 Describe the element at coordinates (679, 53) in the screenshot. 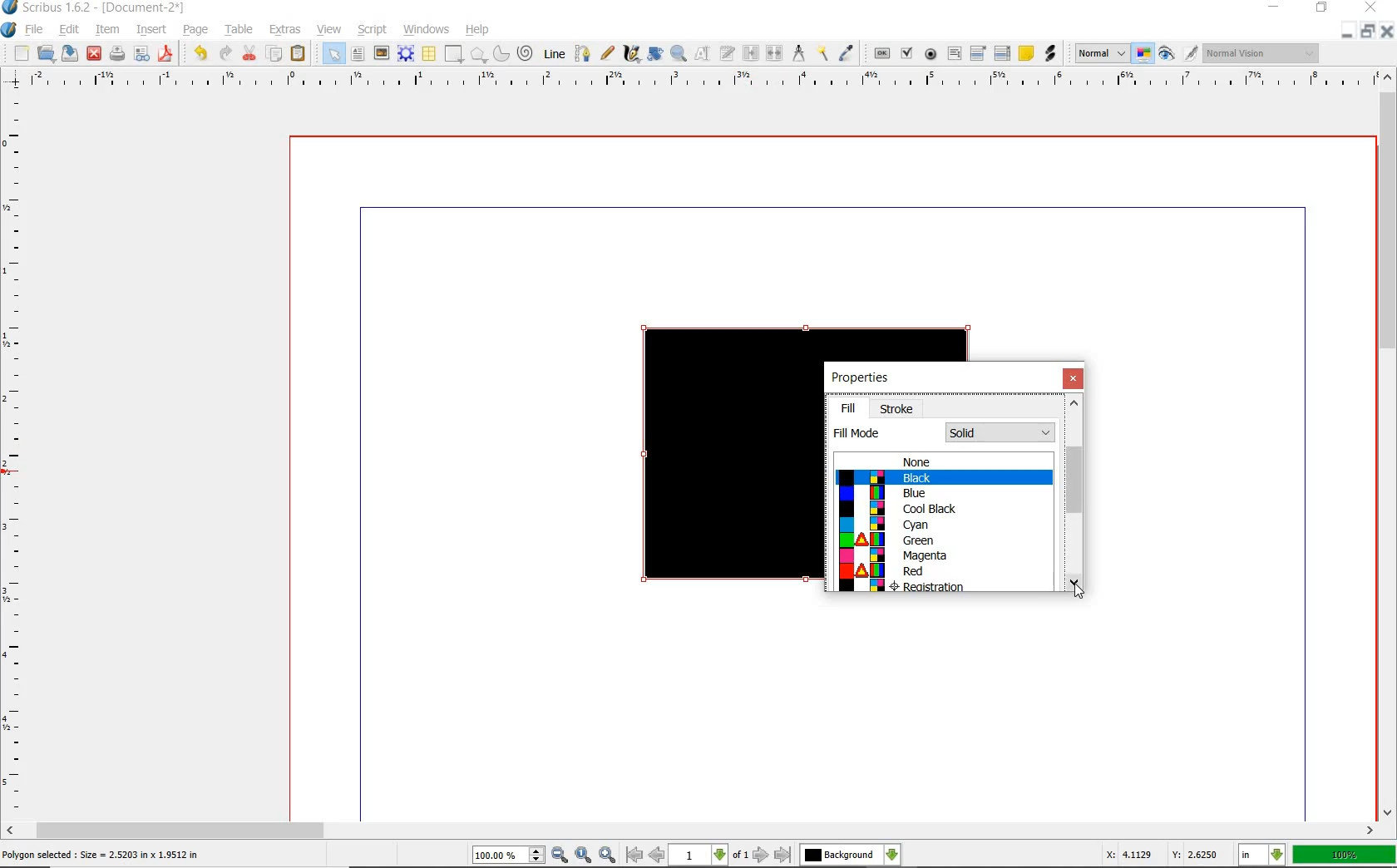

I see `zoom in or out` at that location.